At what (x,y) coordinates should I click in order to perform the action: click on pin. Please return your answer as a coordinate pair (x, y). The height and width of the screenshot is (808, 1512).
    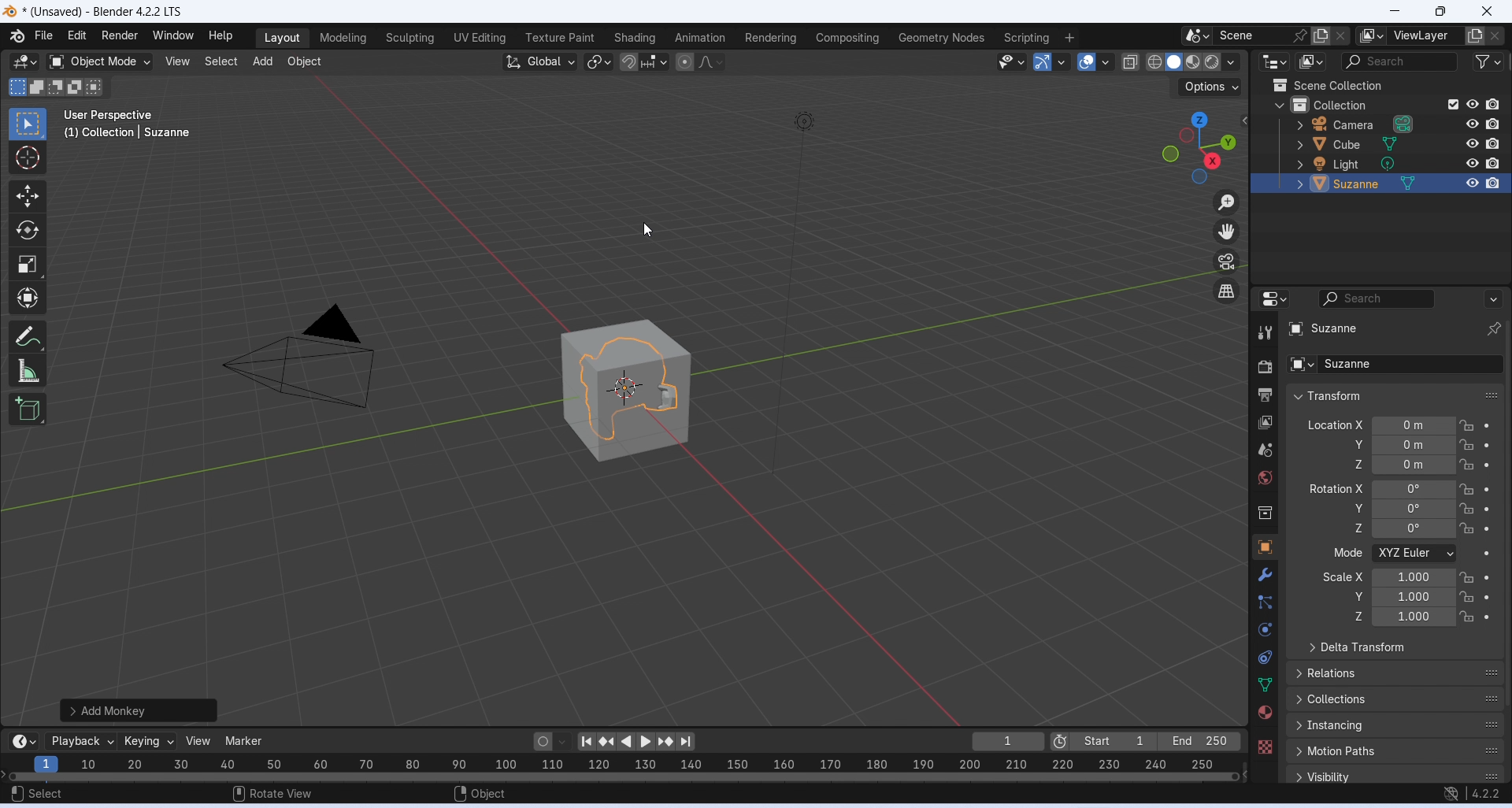
    Looking at the image, I should click on (1492, 329).